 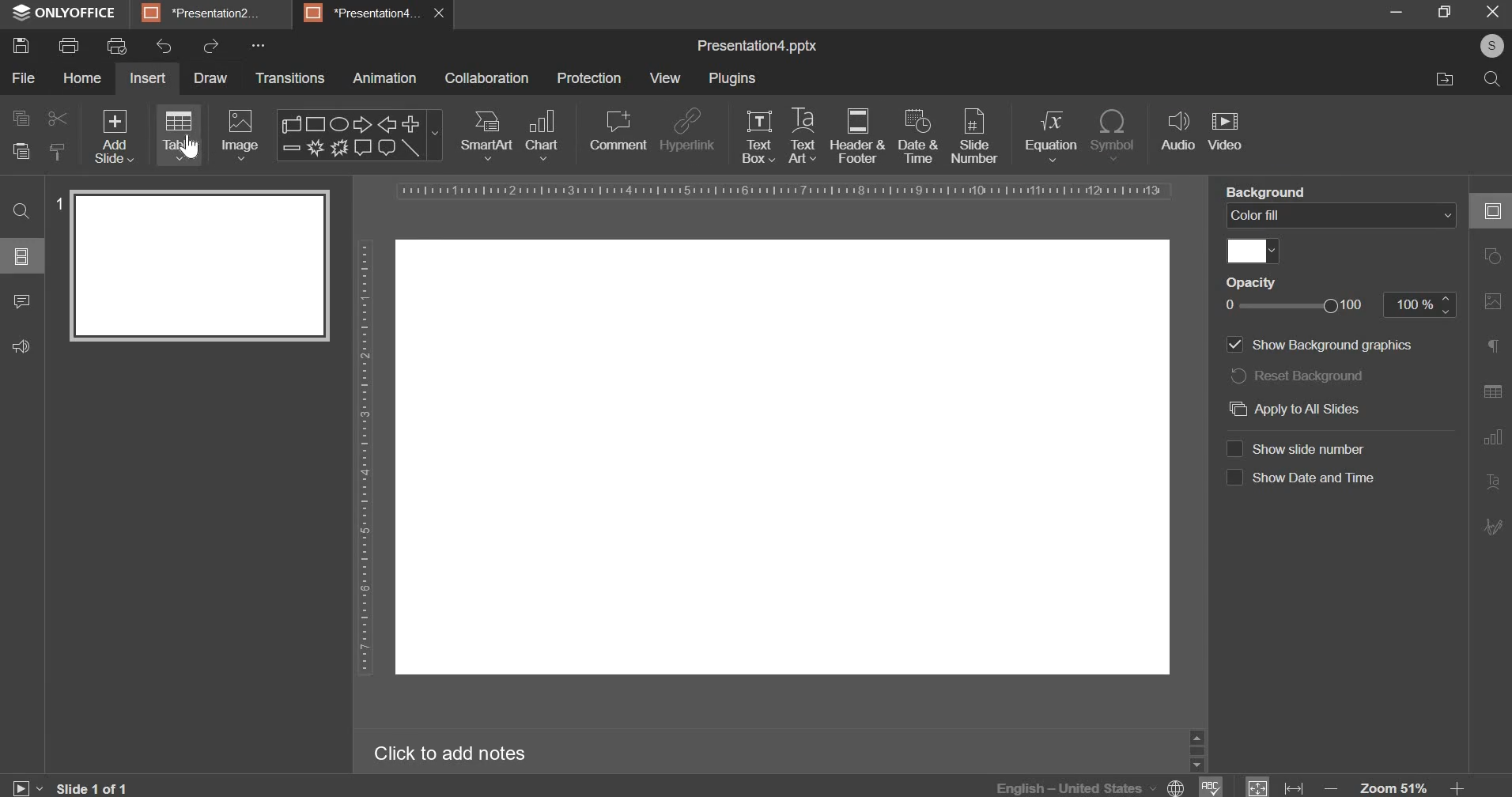 I want to click on slide settings, so click(x=1495, y=210).